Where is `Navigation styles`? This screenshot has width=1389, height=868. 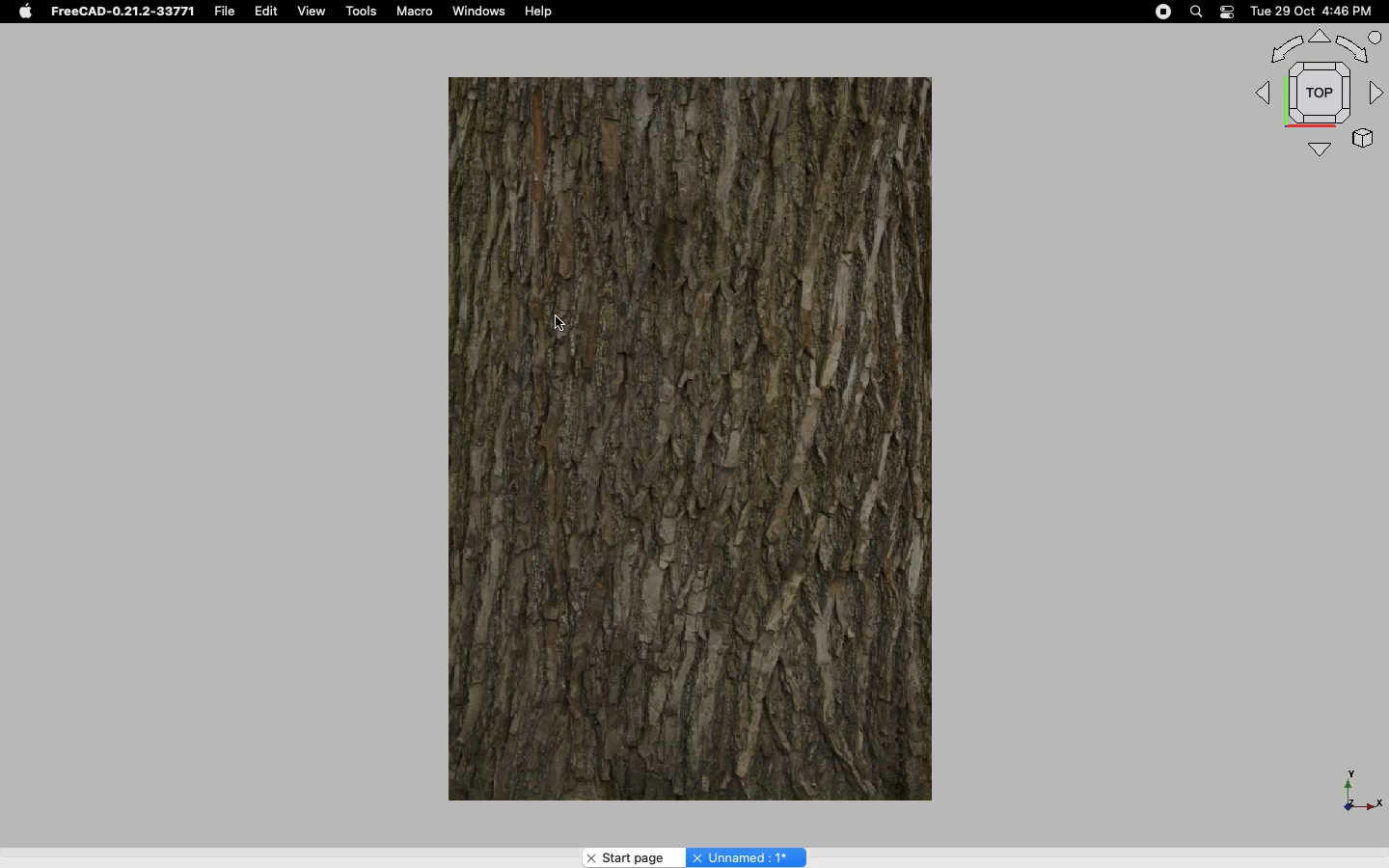
Navigation styles is located at coordinates (1316, 93).